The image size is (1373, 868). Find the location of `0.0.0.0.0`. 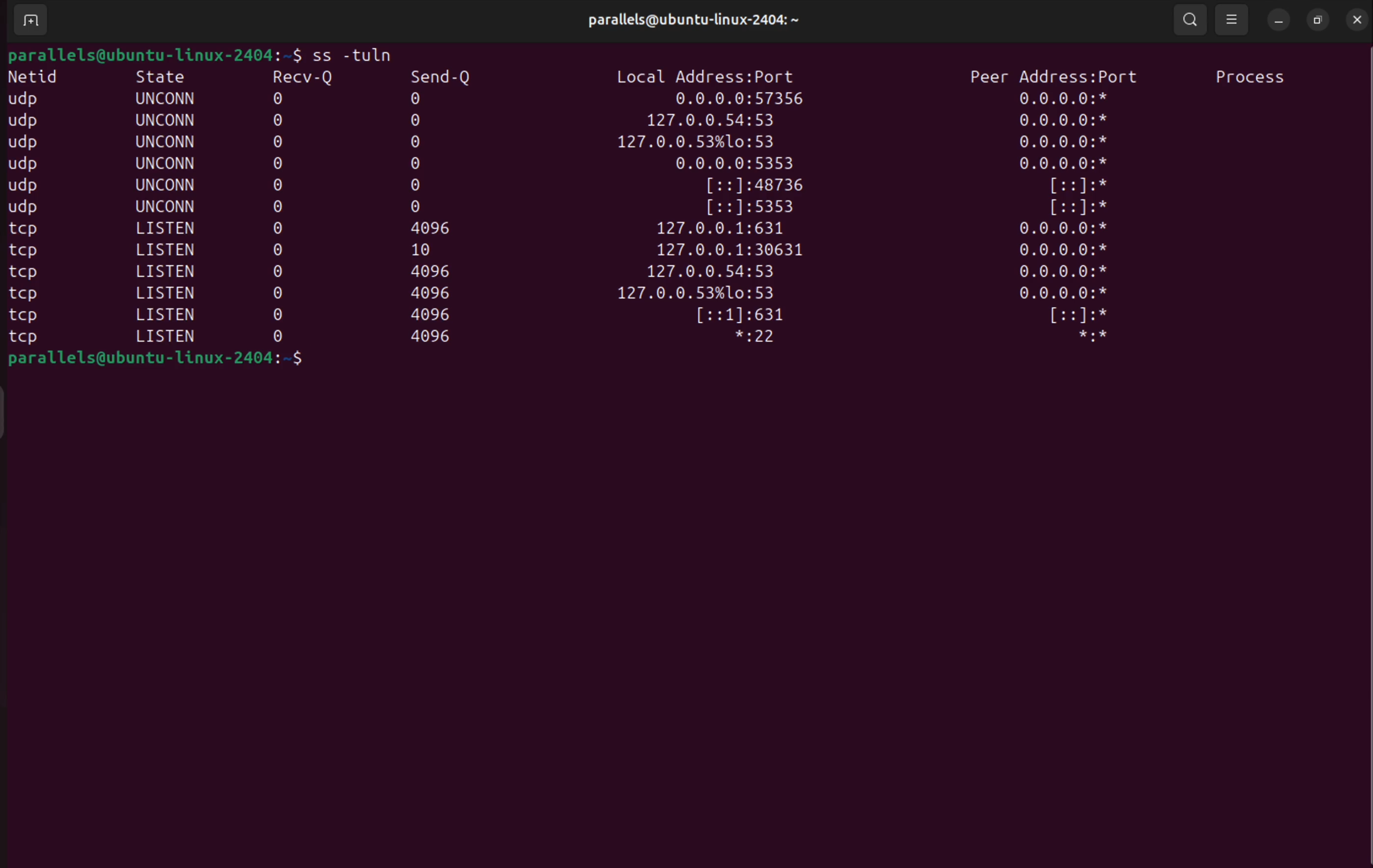

0.0.0.0.0 is located at coordinates (745, 99).